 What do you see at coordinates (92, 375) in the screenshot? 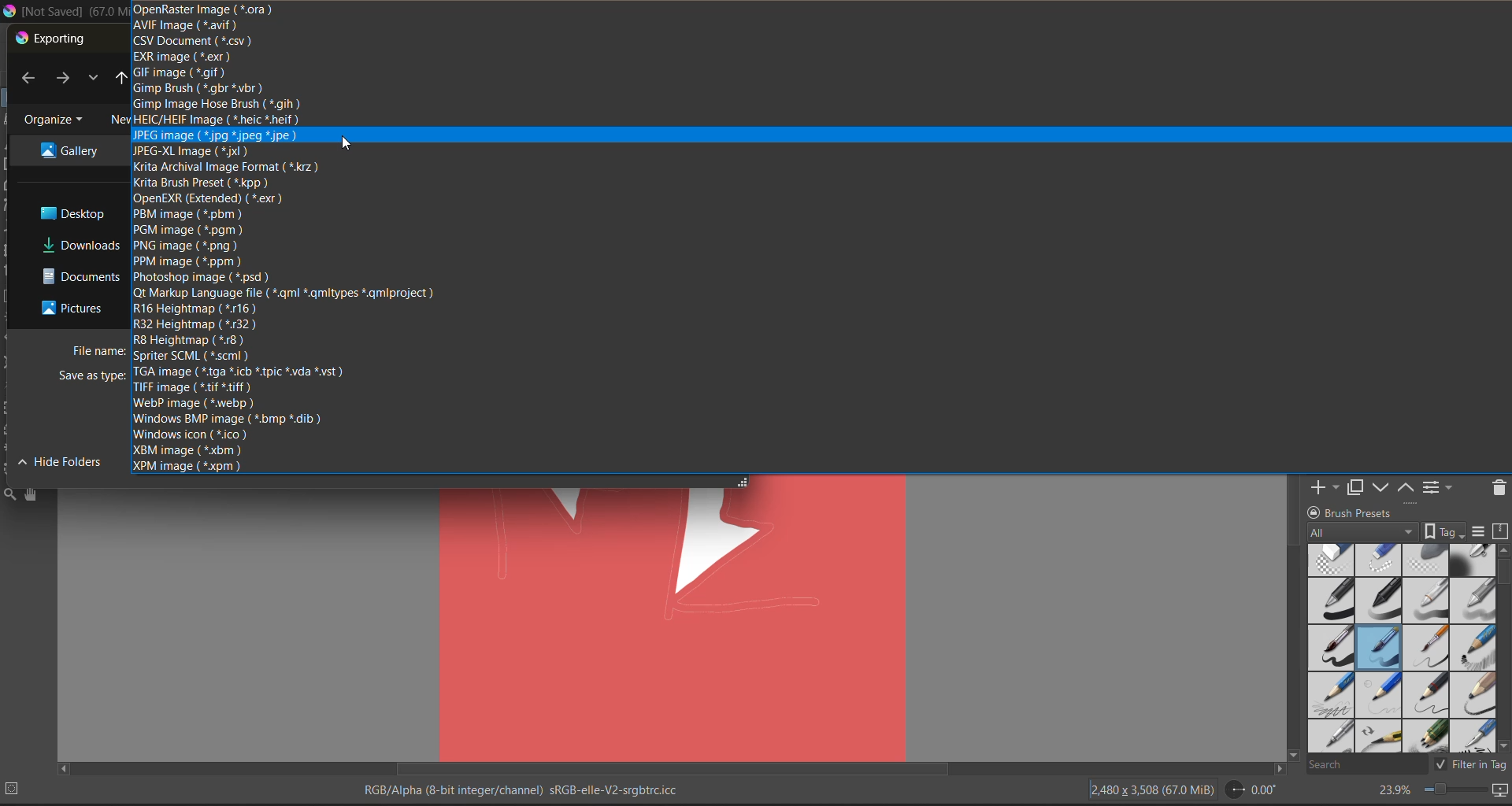
I see `Cursor on save as type` at bounding box center [92, 375].